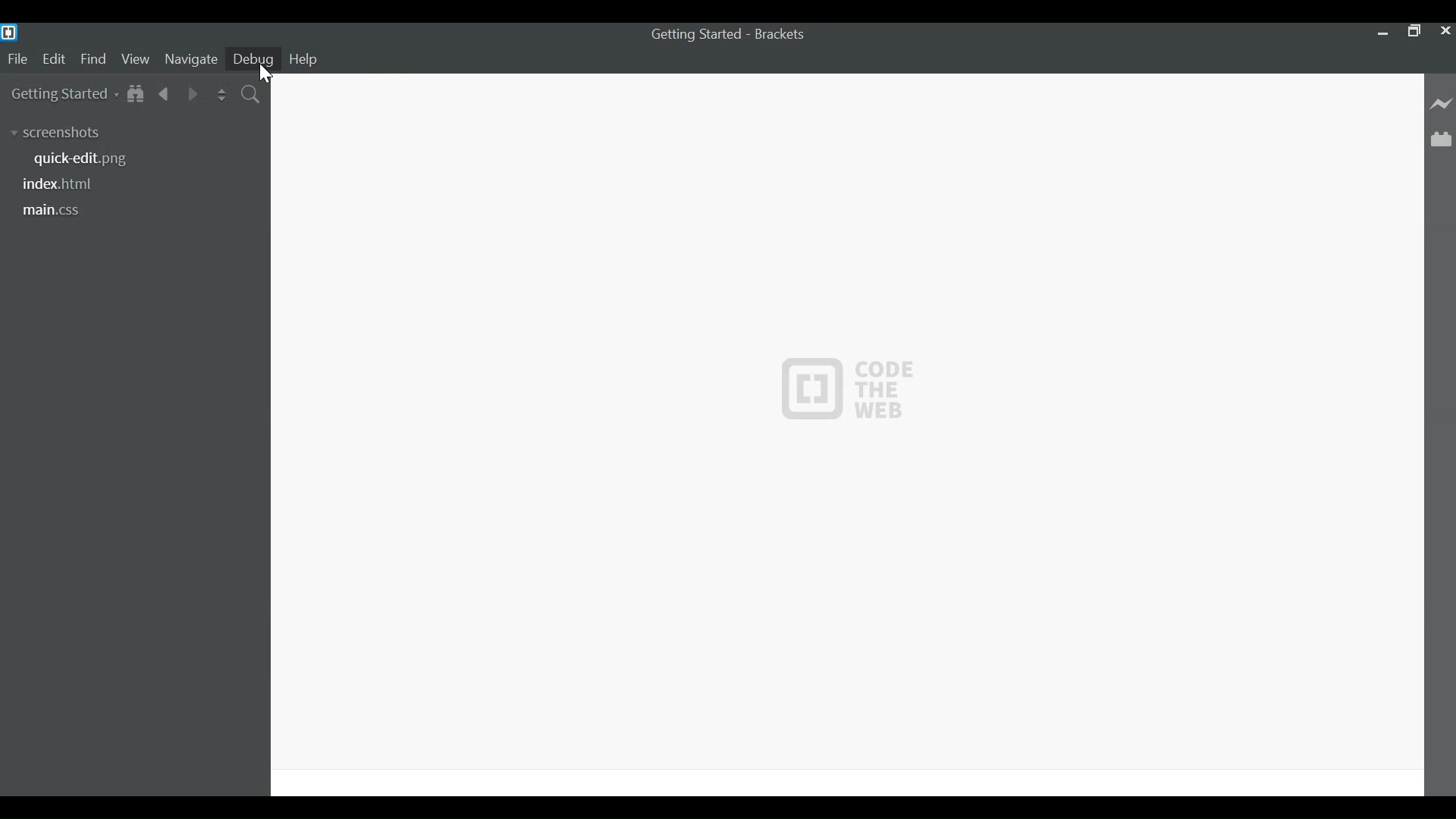 This screenshot has height=819, width=1456. What do you see at coordinates (56, 209) in the screenshot?
I see `main.css` at bounding box center [56, 209].